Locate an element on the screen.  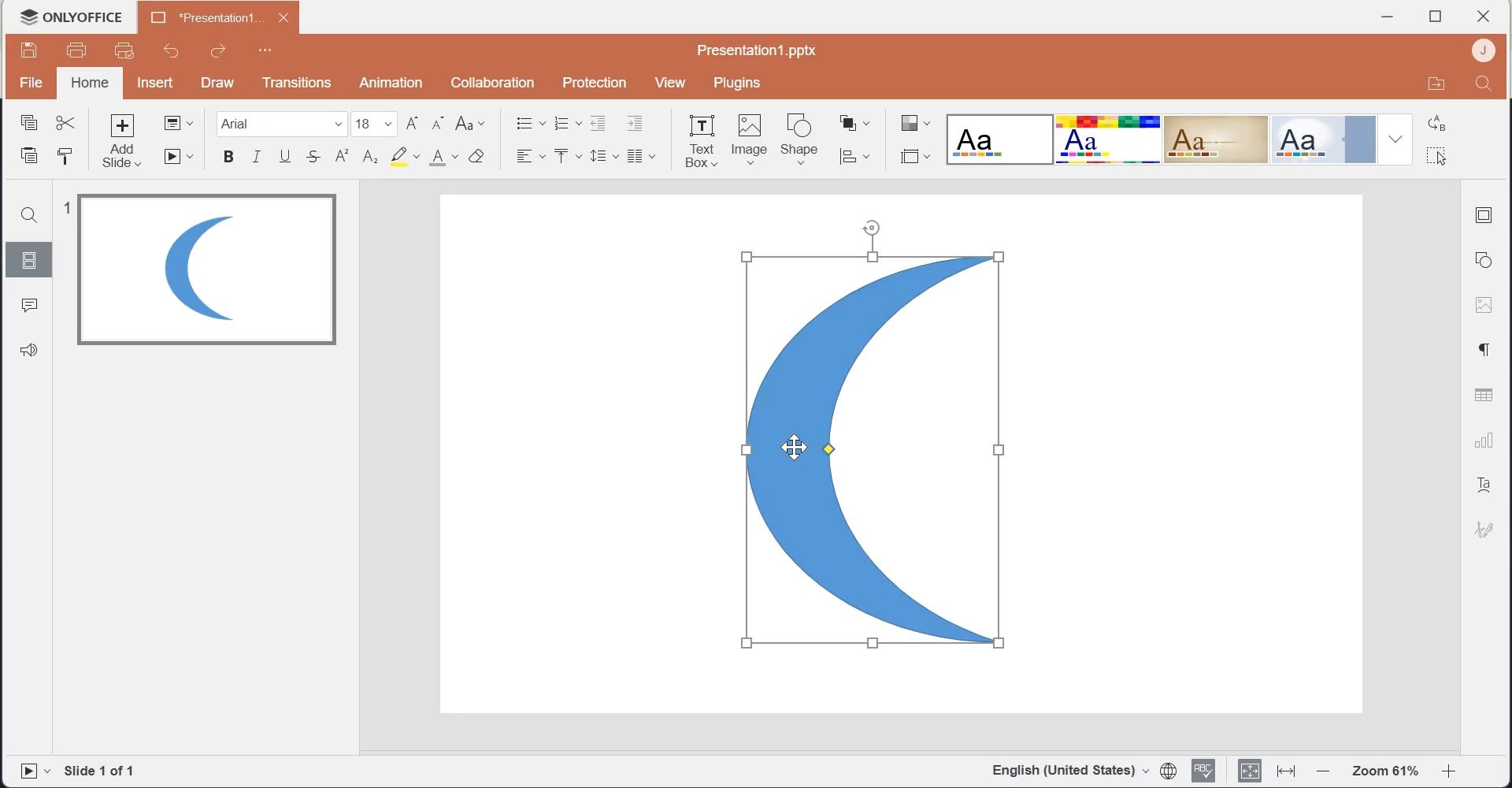
Decrease Indent is located at coordinates (600, 123).